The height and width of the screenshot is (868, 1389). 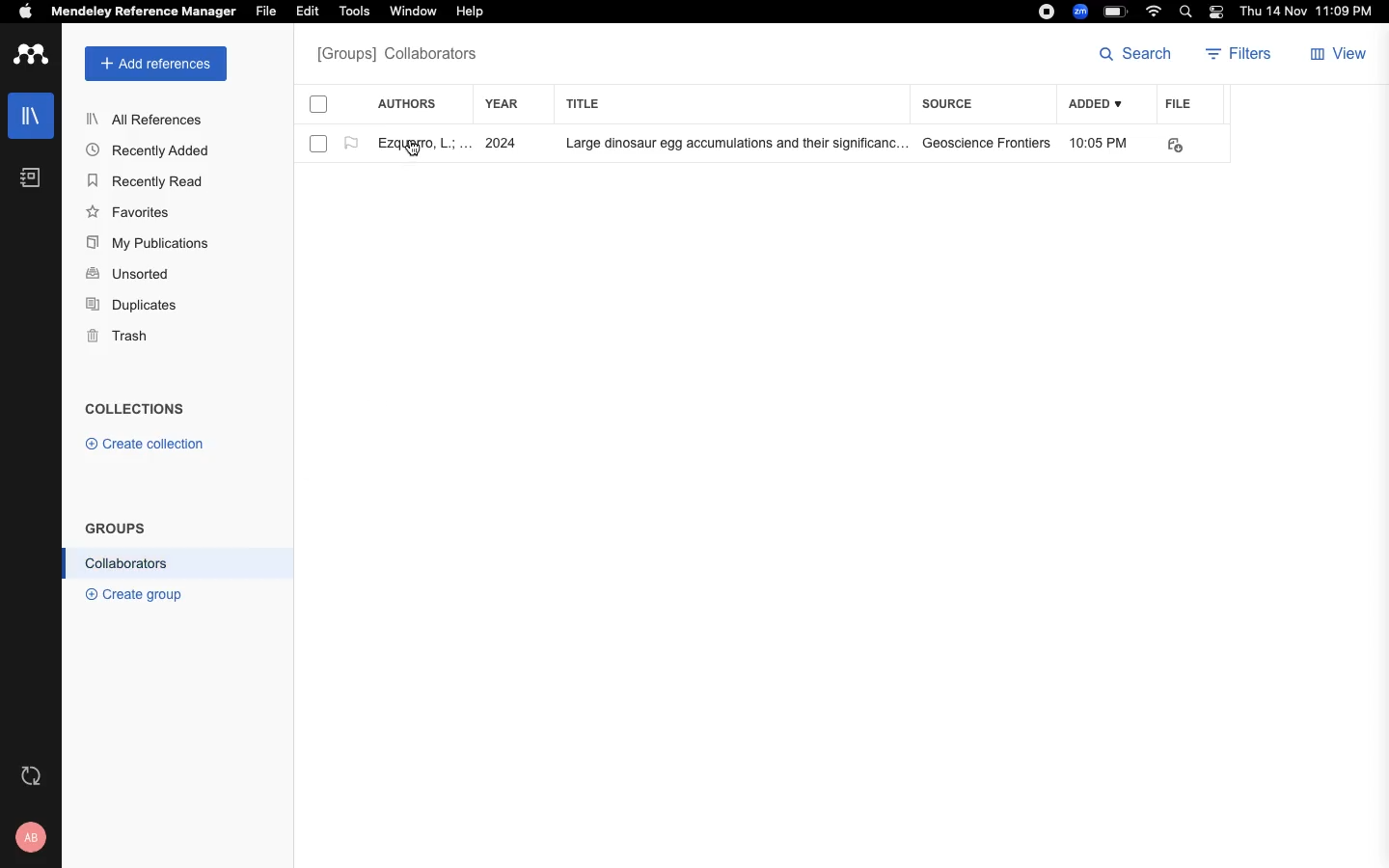 What do you see at coordinates (146, 448) in the screenshot?
I see `© Create collection` at bounding box center [146, 448].